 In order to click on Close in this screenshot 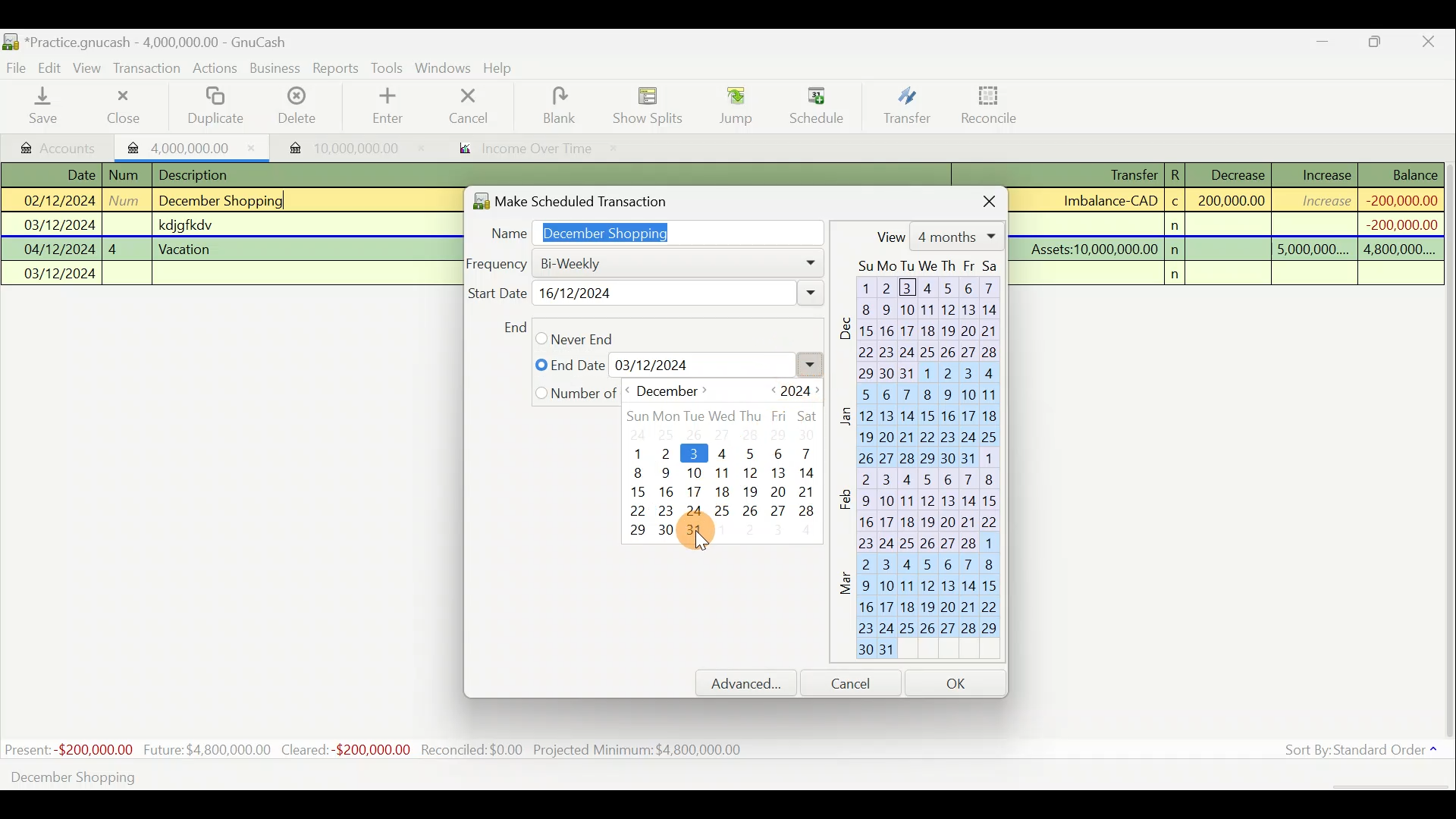, I will do `click(122, 106)`.